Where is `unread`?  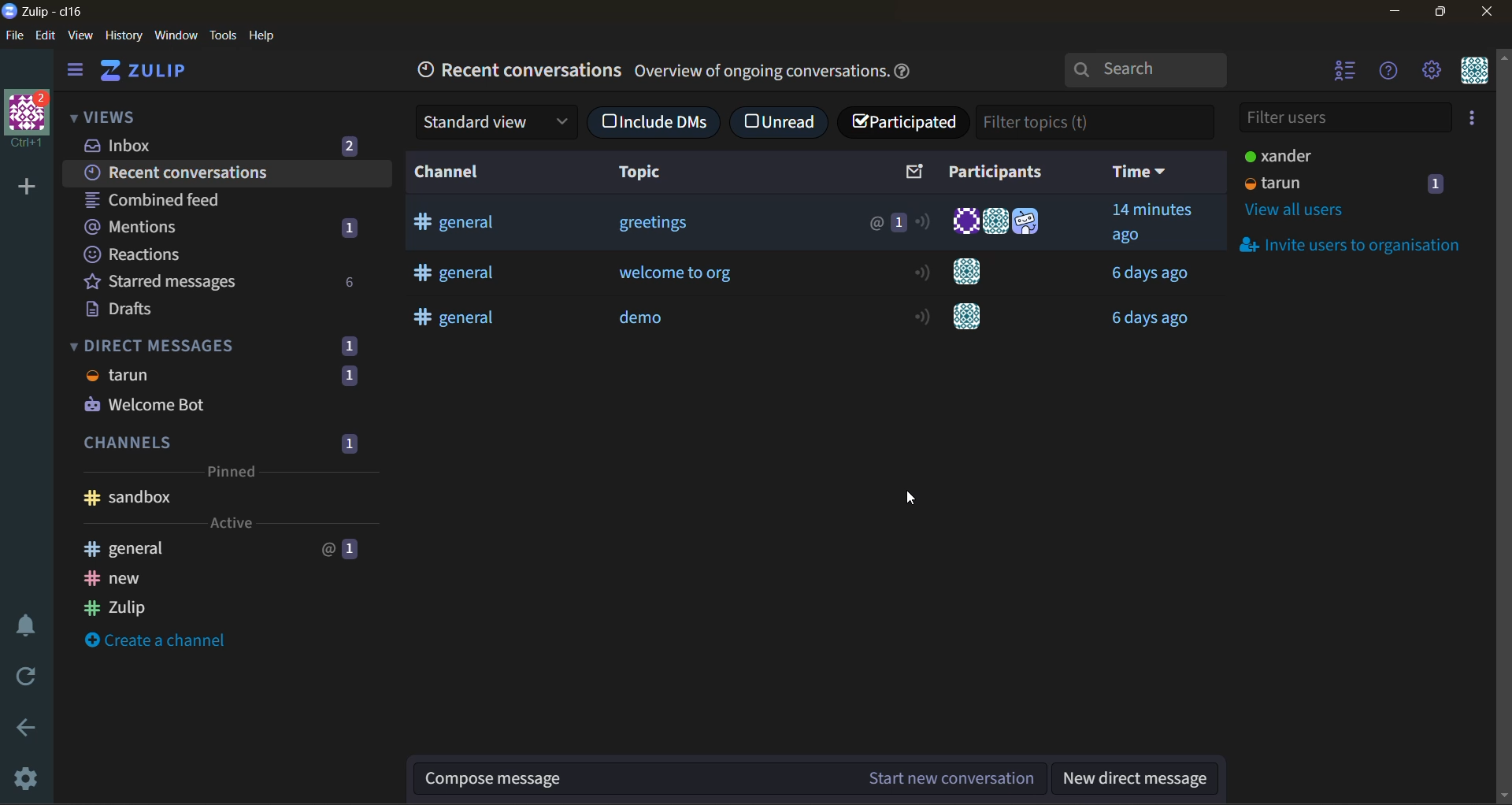
unread is located at coordinates (784, 123).